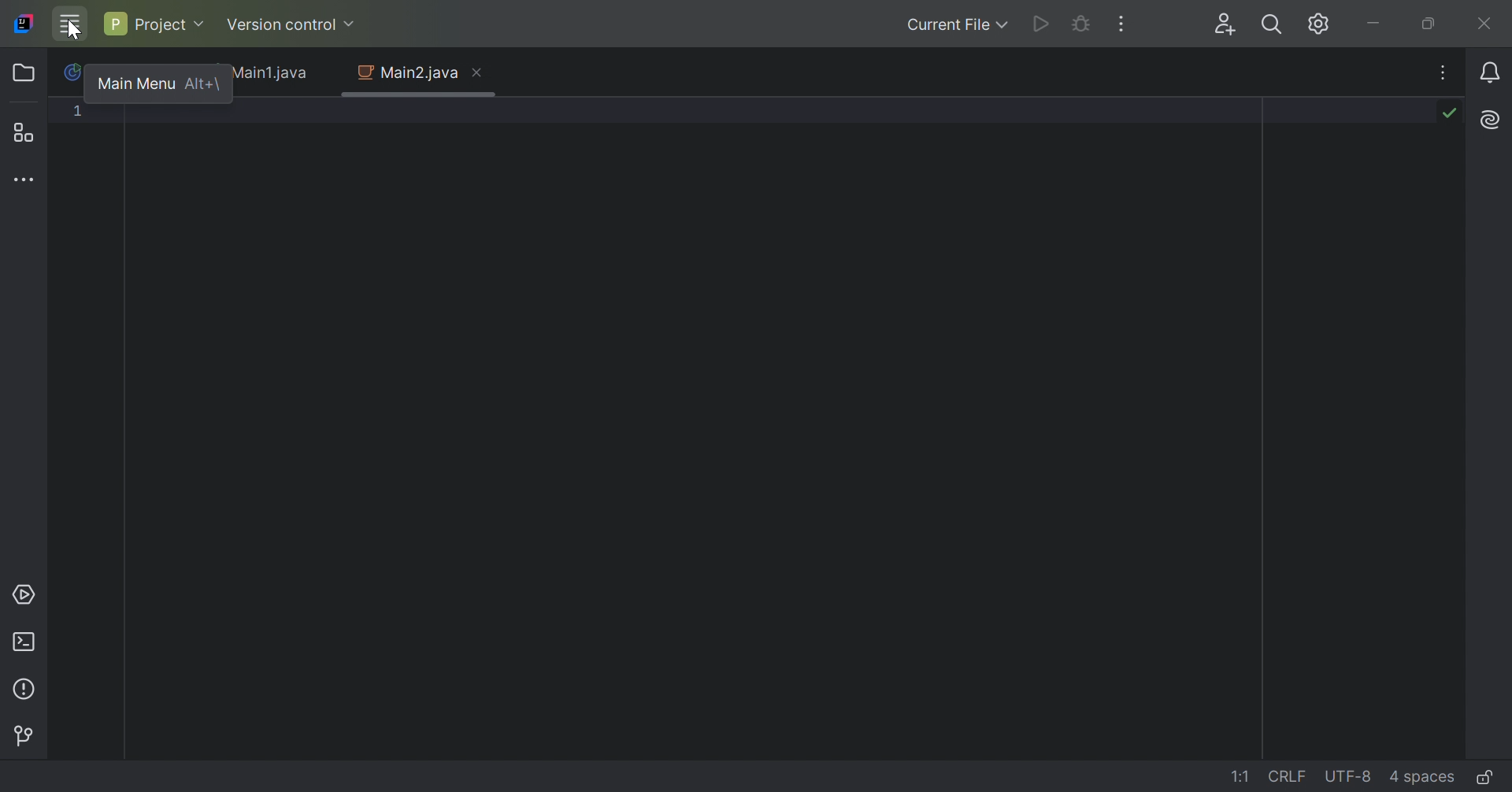  Describe the element at coordinates (202, 83) in the screenshot. I see `Alt \` at that location.